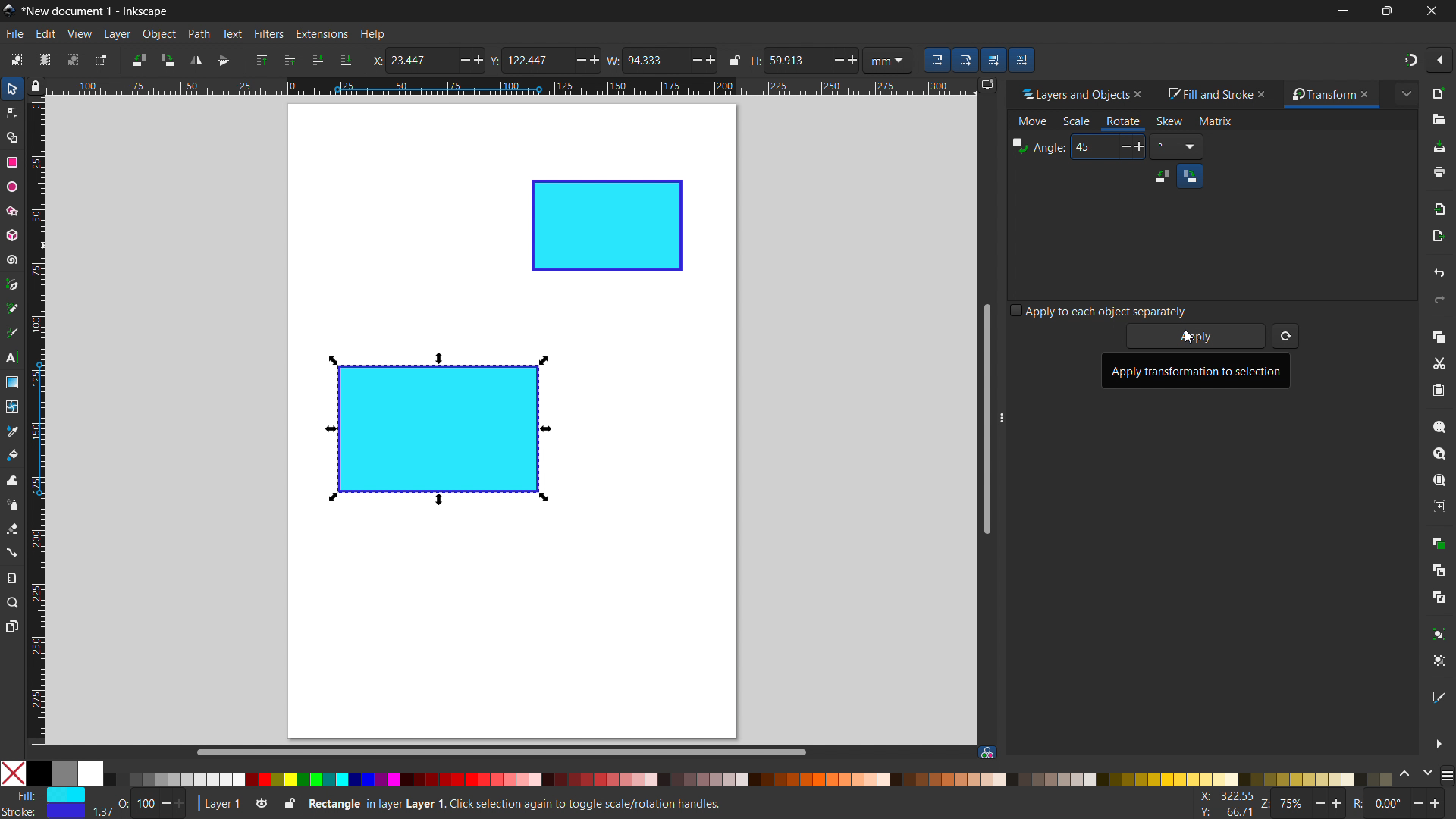 The height and width of the screenshot is (819, 1456). What do you see at coordinates (1099, 310) in the screenshot?
I see `apply to each object separately` at bounding box center [1099, 310].